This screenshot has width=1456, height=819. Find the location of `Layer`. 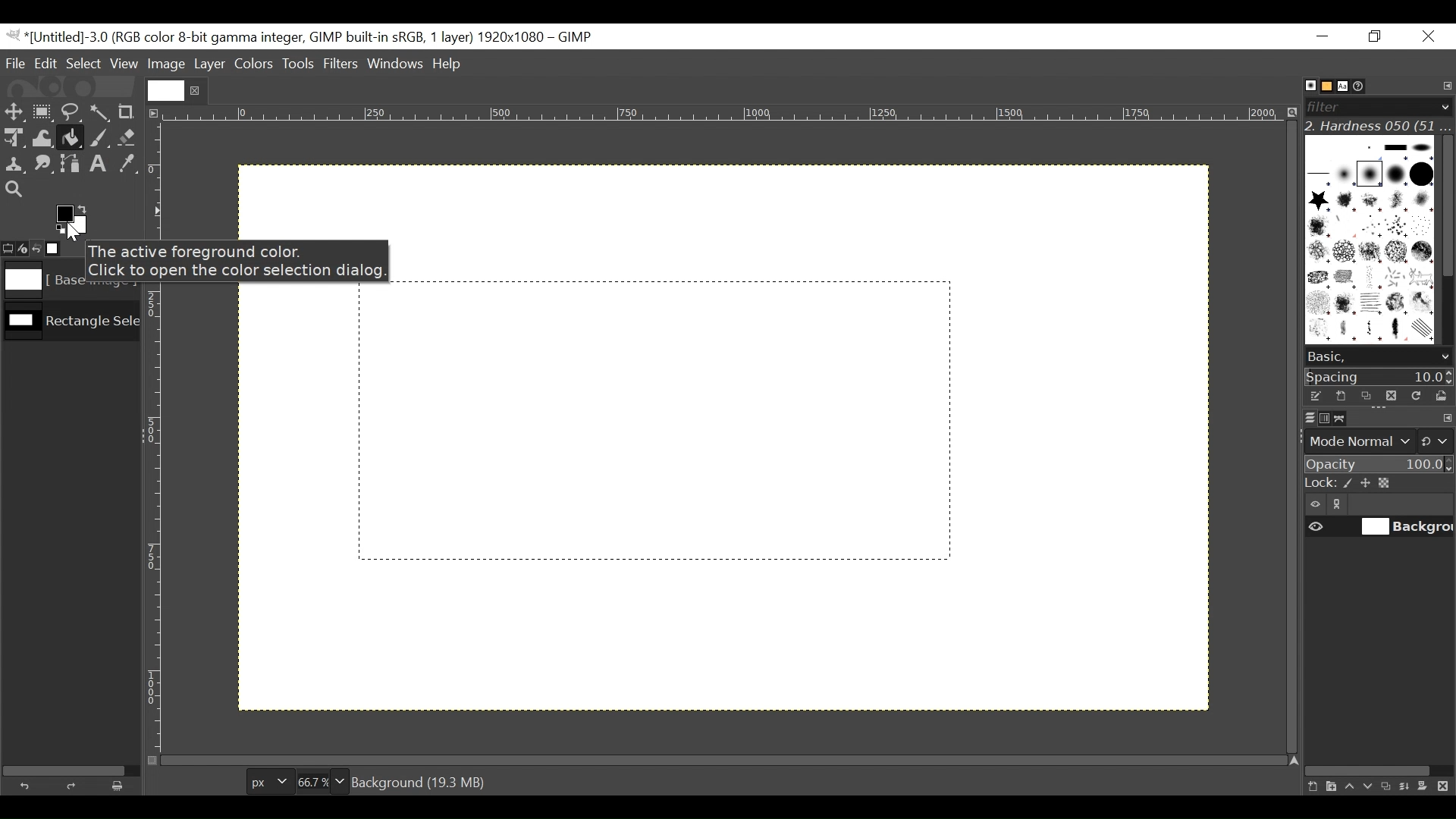

Layer is located at coordinates (209, 63).